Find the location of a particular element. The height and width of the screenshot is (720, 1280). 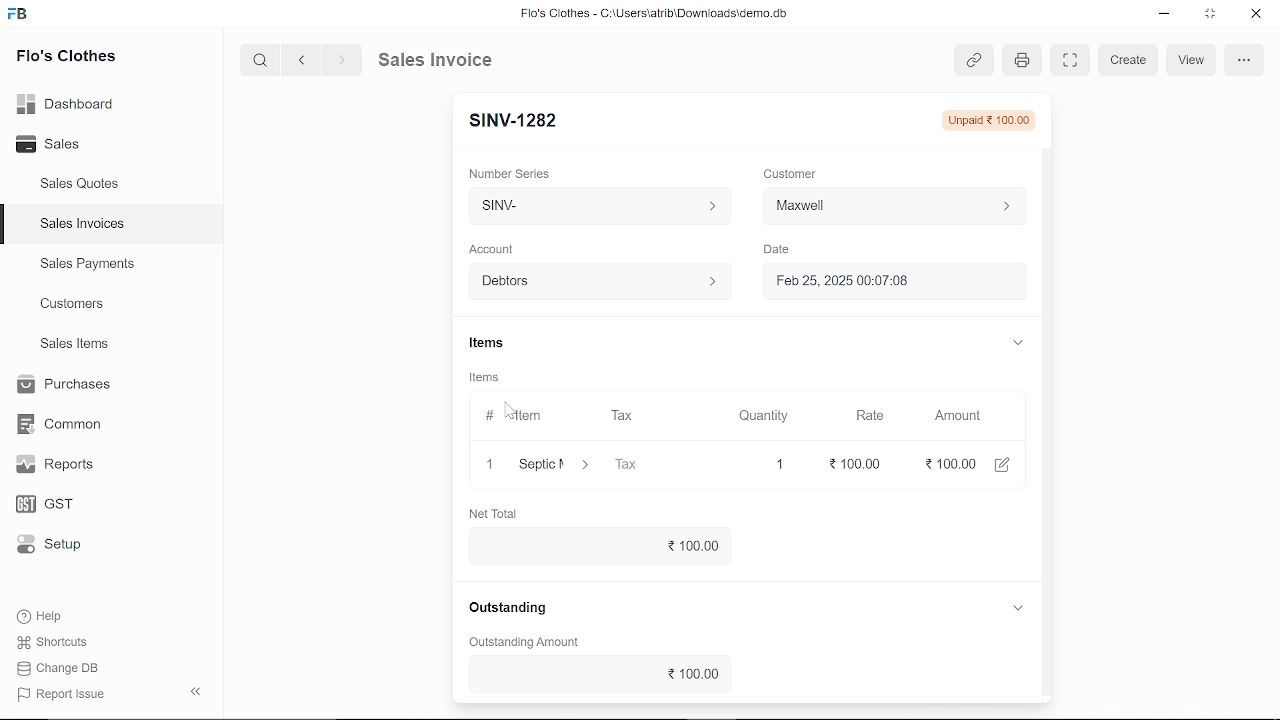

Sales Invoices is located at coordinates (82, 224).